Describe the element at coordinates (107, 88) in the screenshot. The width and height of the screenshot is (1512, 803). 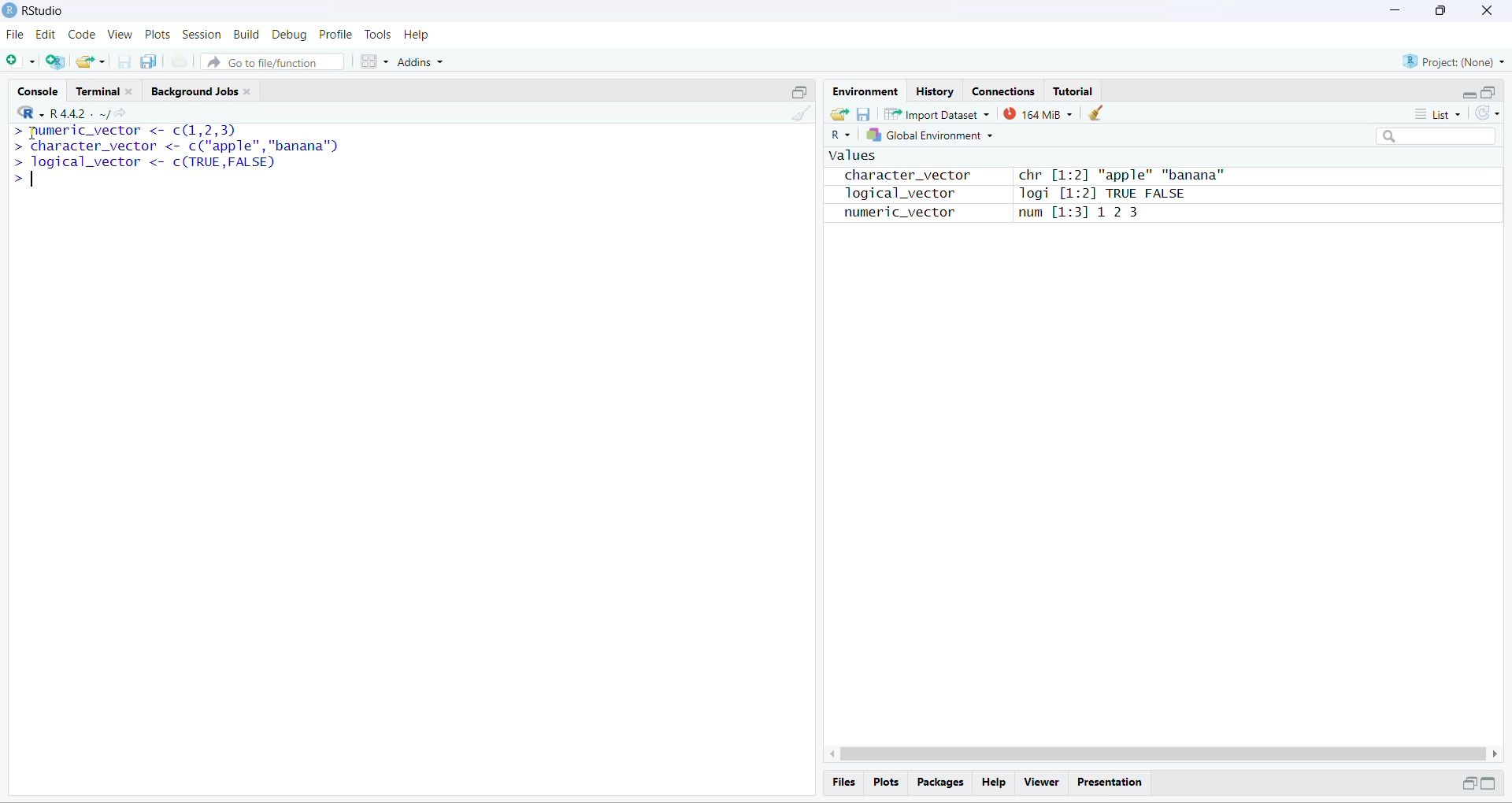
I see `Terminal` at that location.